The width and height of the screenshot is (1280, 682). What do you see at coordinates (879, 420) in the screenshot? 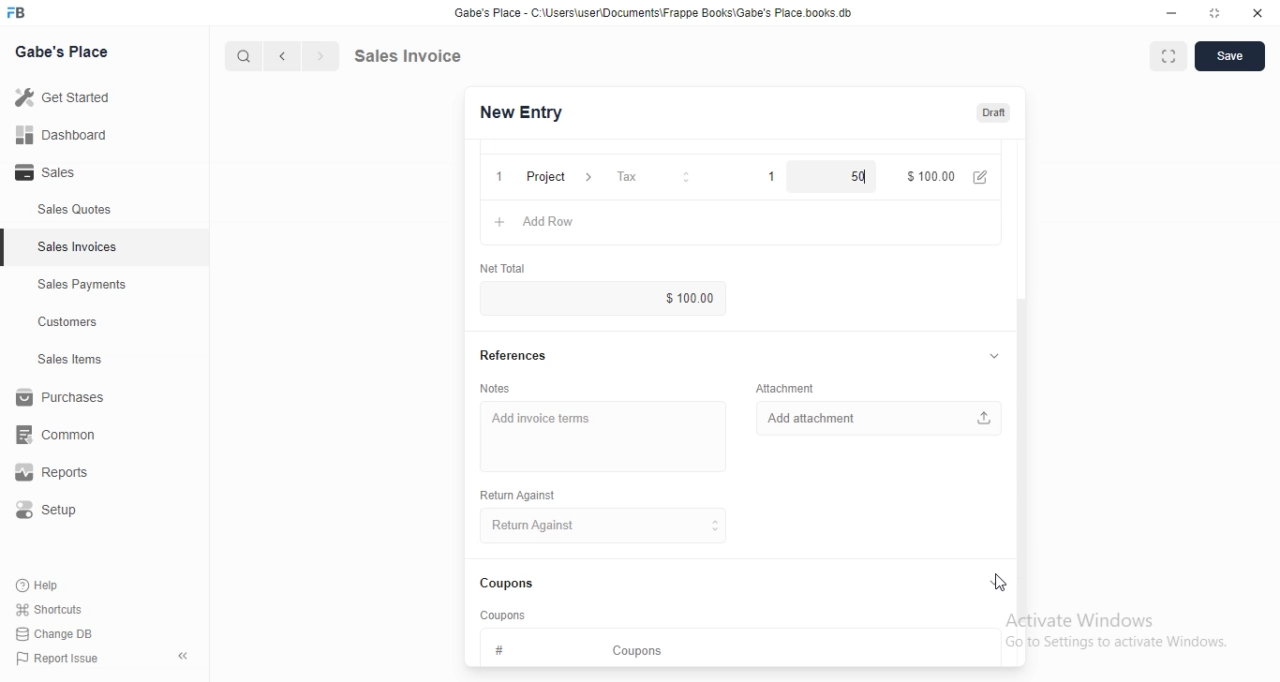
I see `Add attachment` at bounding box center [879, 420].